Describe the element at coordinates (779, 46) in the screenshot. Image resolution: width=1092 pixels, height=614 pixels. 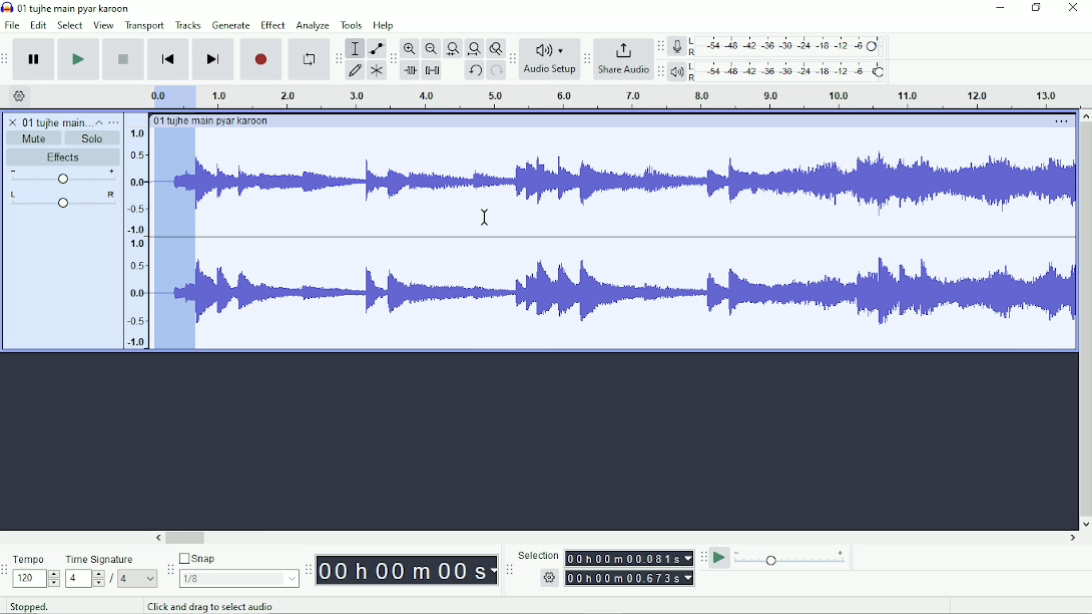
I see `Record Meter` at that location.